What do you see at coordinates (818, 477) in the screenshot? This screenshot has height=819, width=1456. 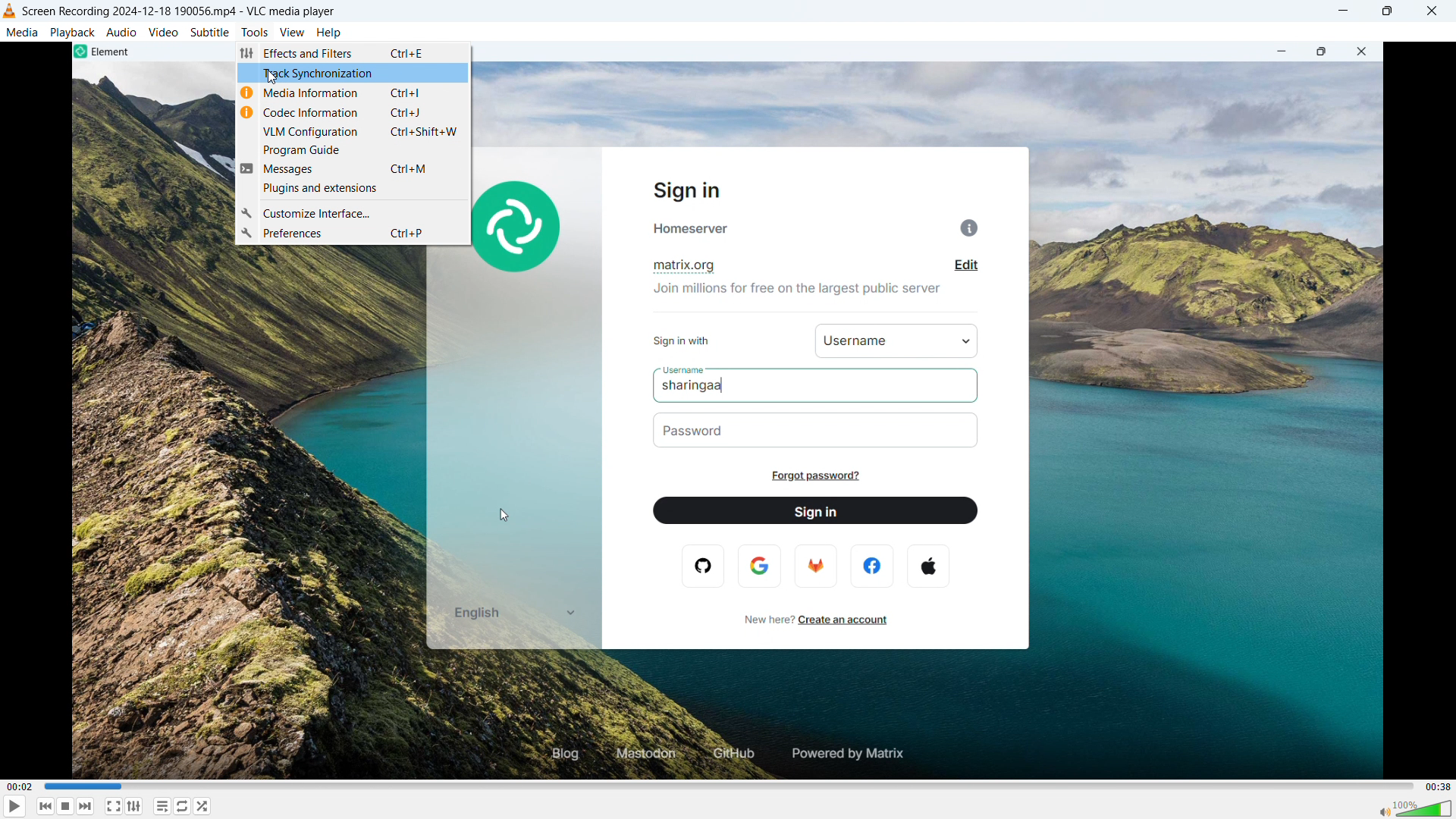 I see `forgot password?` at bounding box center [818, 477].